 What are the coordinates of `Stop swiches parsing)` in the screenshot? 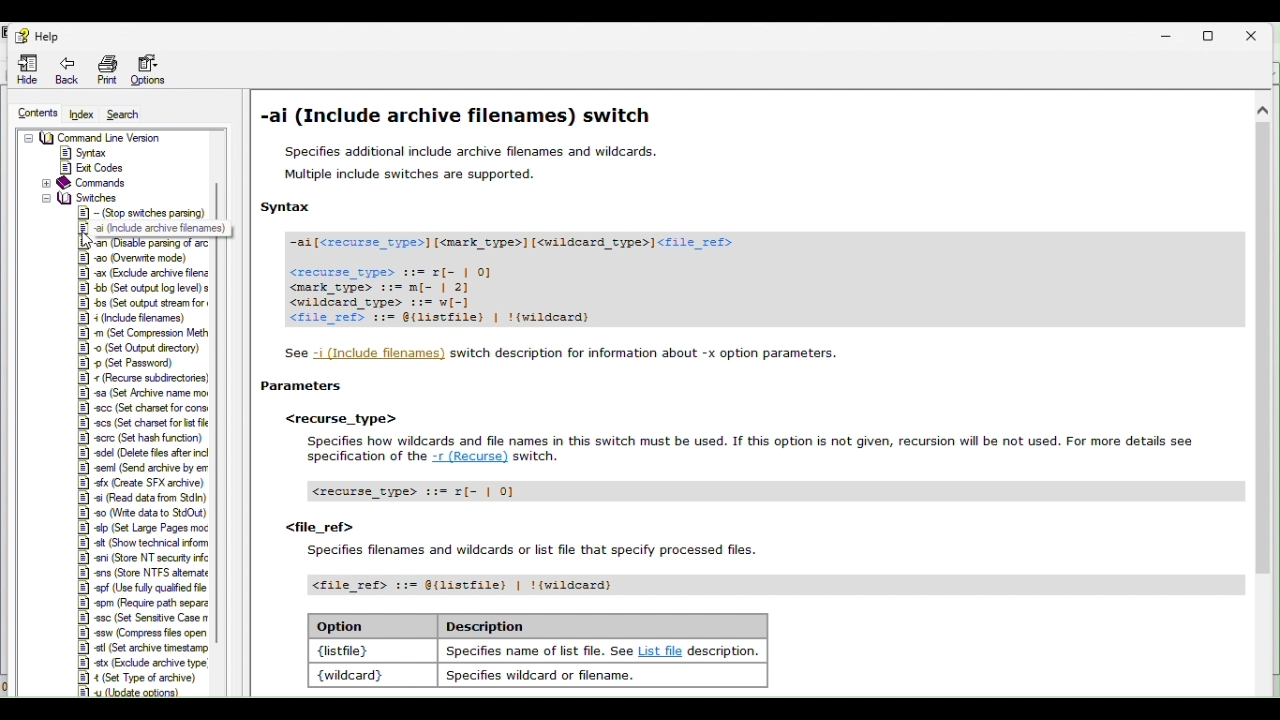 It's located at (144, 213).